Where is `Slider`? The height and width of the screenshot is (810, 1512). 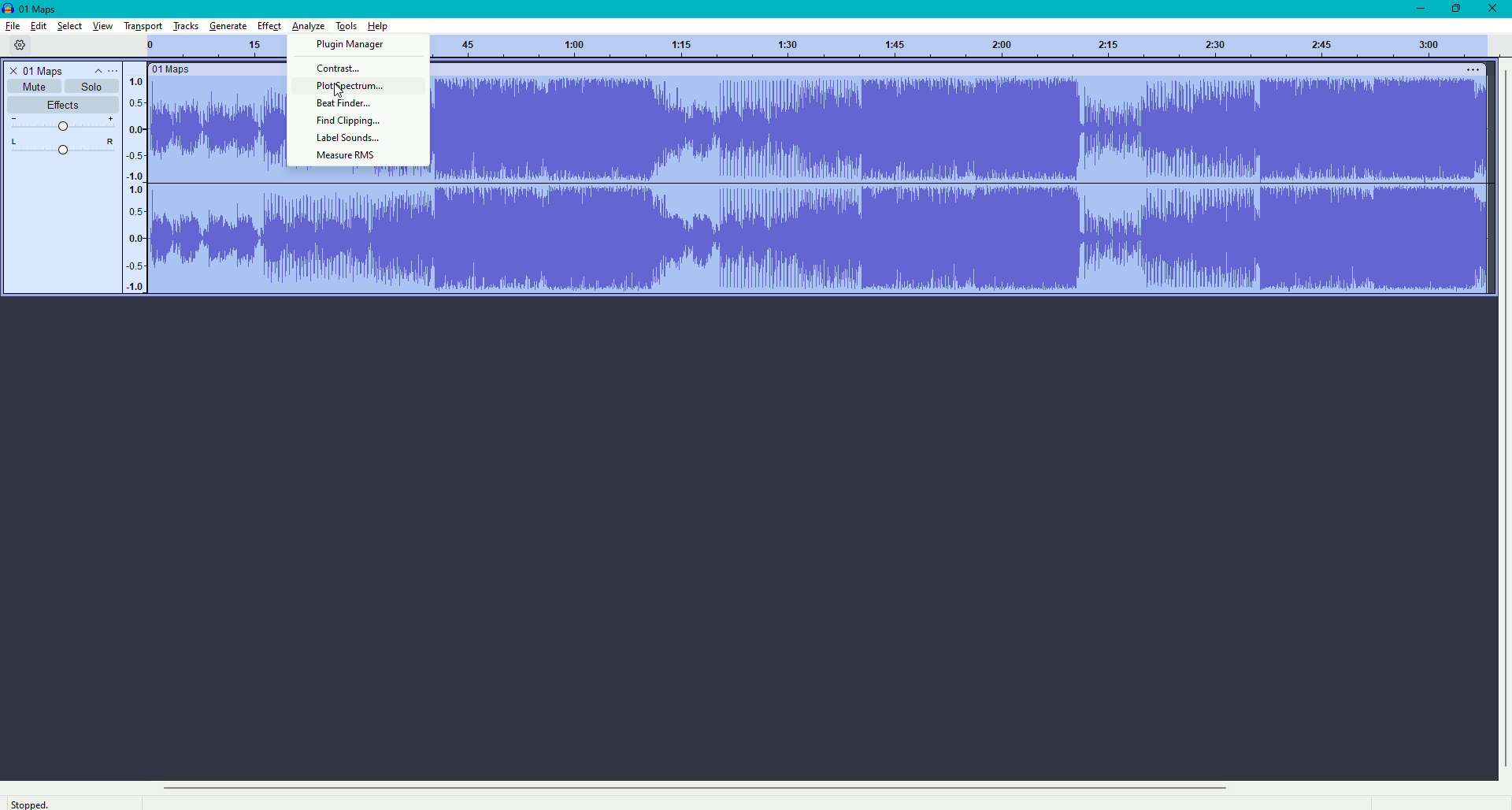 Slider is located at coordinates (61, 123).